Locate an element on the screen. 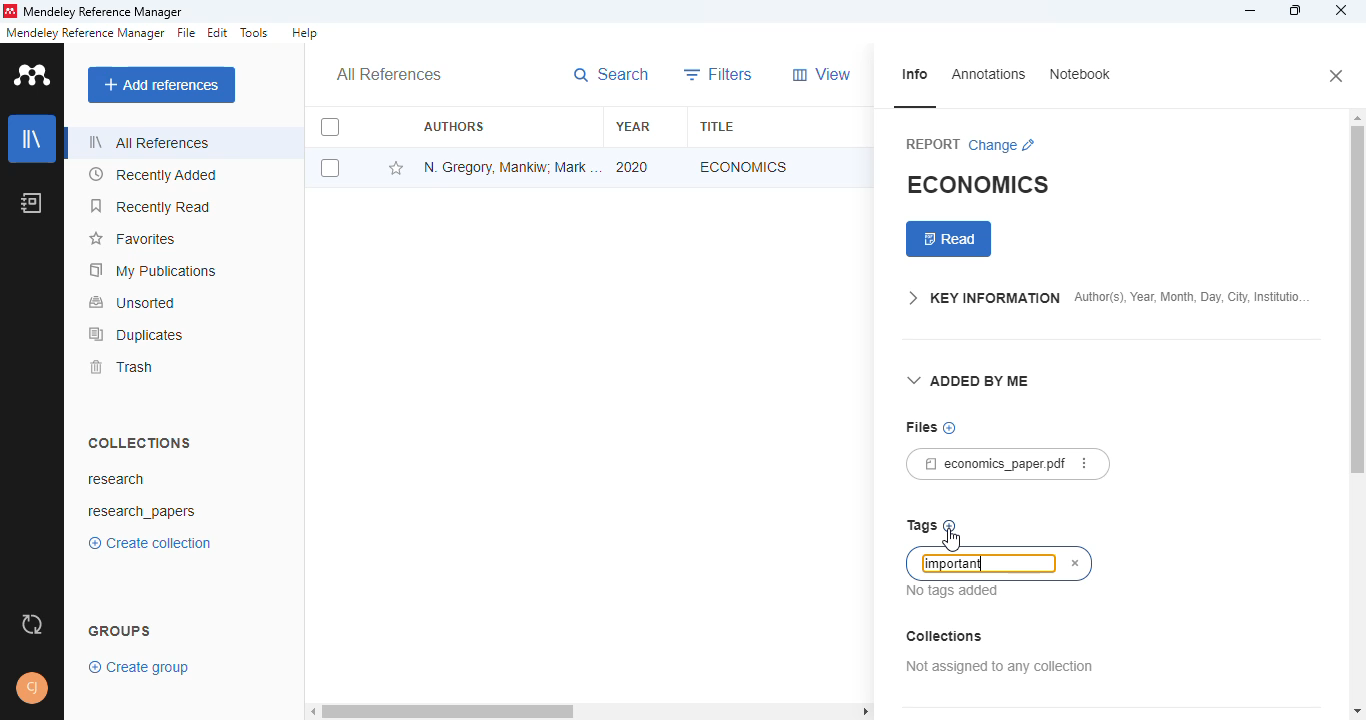  recently added is located at coordinates (151, 175).